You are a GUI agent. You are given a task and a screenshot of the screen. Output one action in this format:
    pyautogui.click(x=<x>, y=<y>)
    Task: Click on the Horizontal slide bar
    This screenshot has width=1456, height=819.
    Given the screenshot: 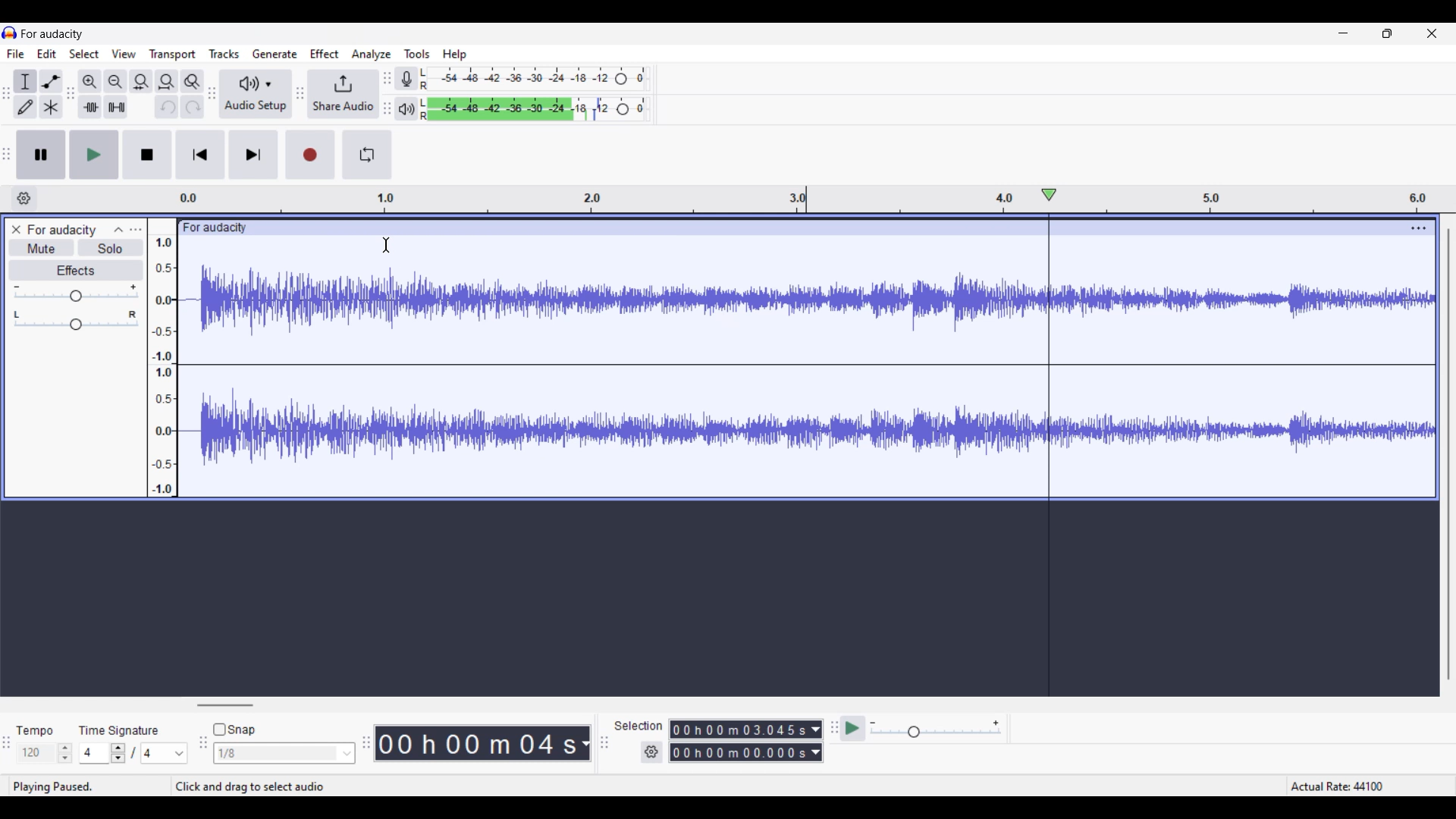 What is the action you would take?
    pyautogui.click(x=224, y=705)
    